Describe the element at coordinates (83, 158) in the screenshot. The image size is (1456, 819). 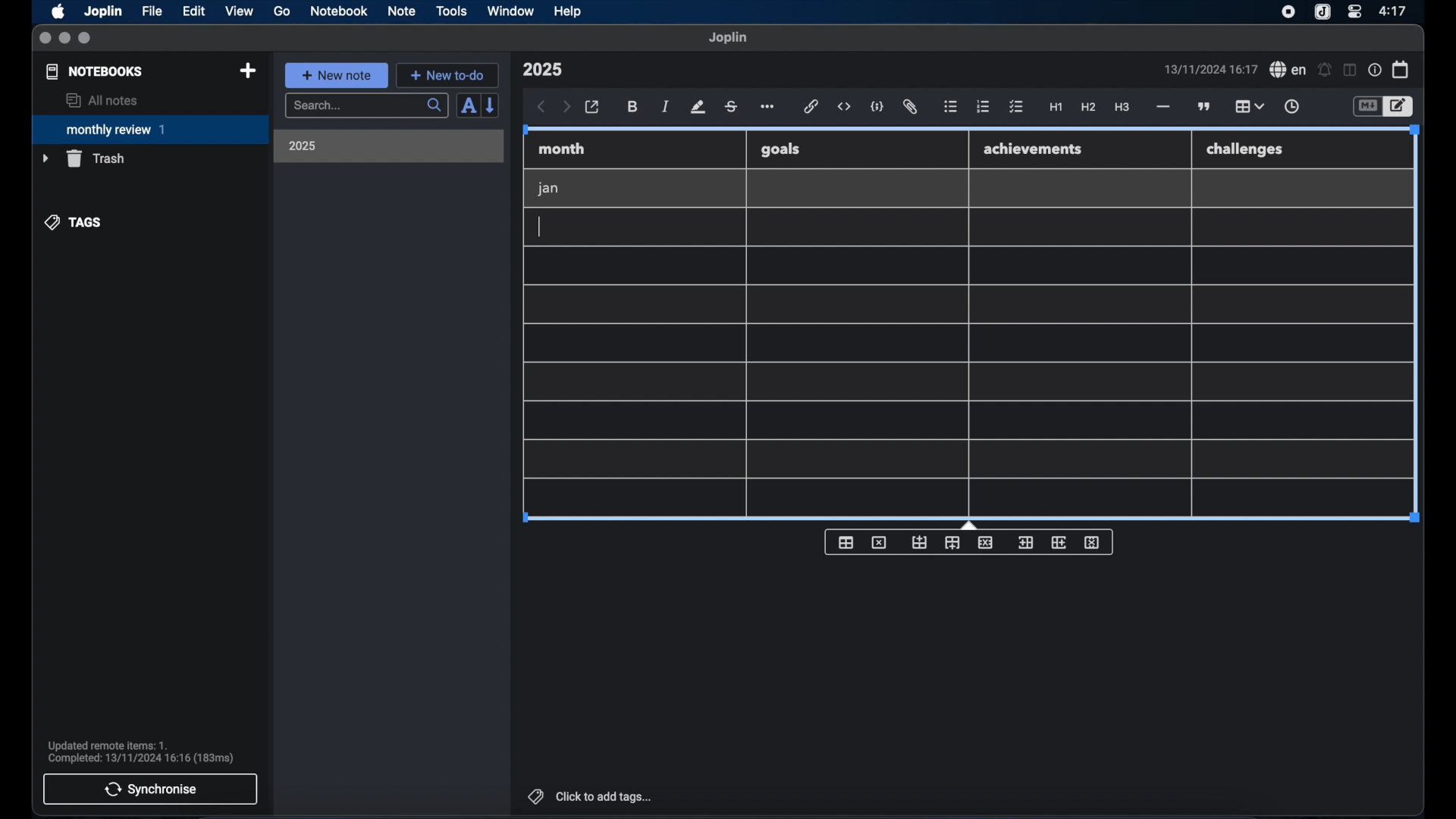
I see `trash` at that location.